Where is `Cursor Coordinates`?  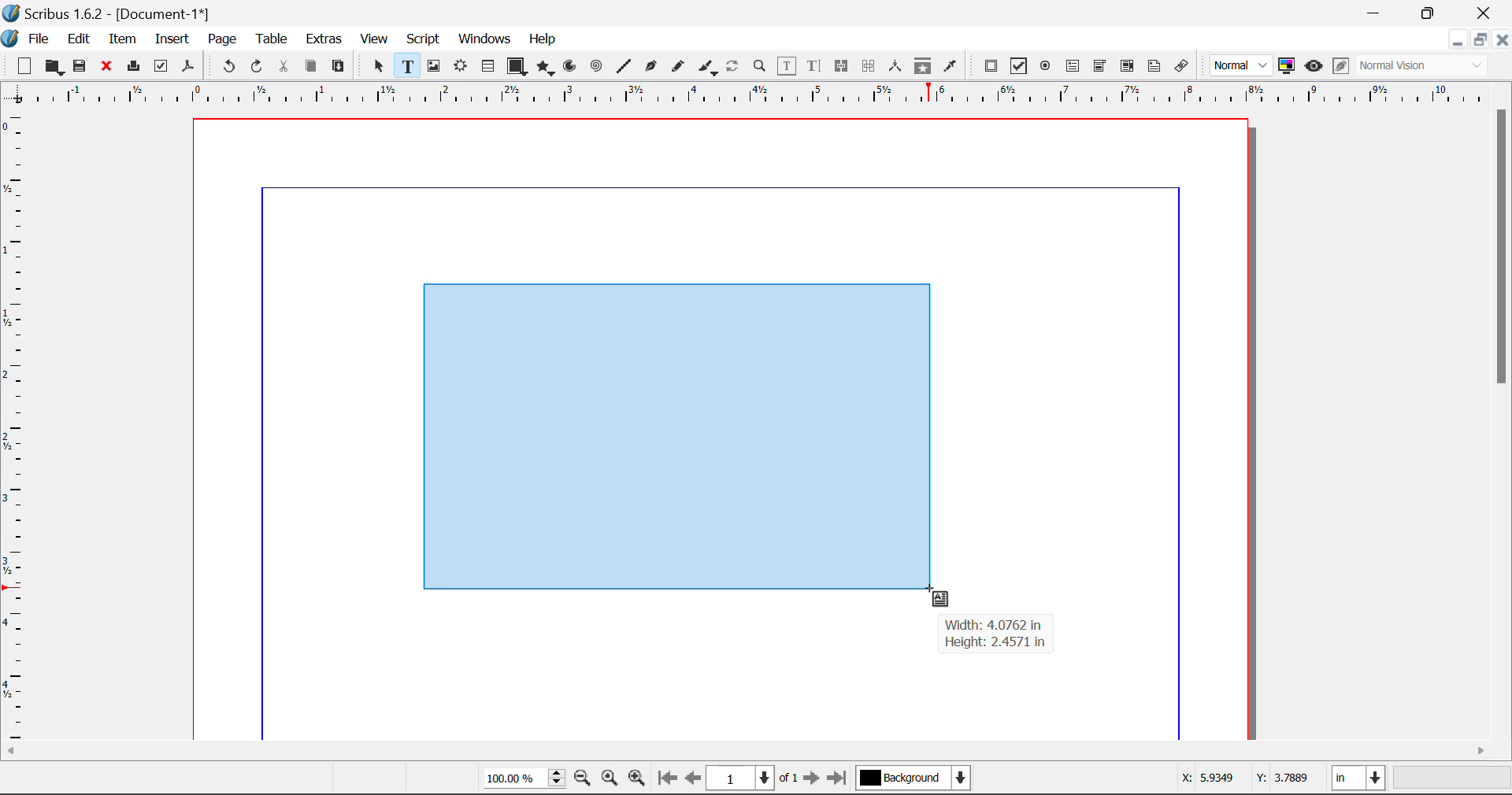 Cursor Coordinates is located at coordinates (1247, 780).